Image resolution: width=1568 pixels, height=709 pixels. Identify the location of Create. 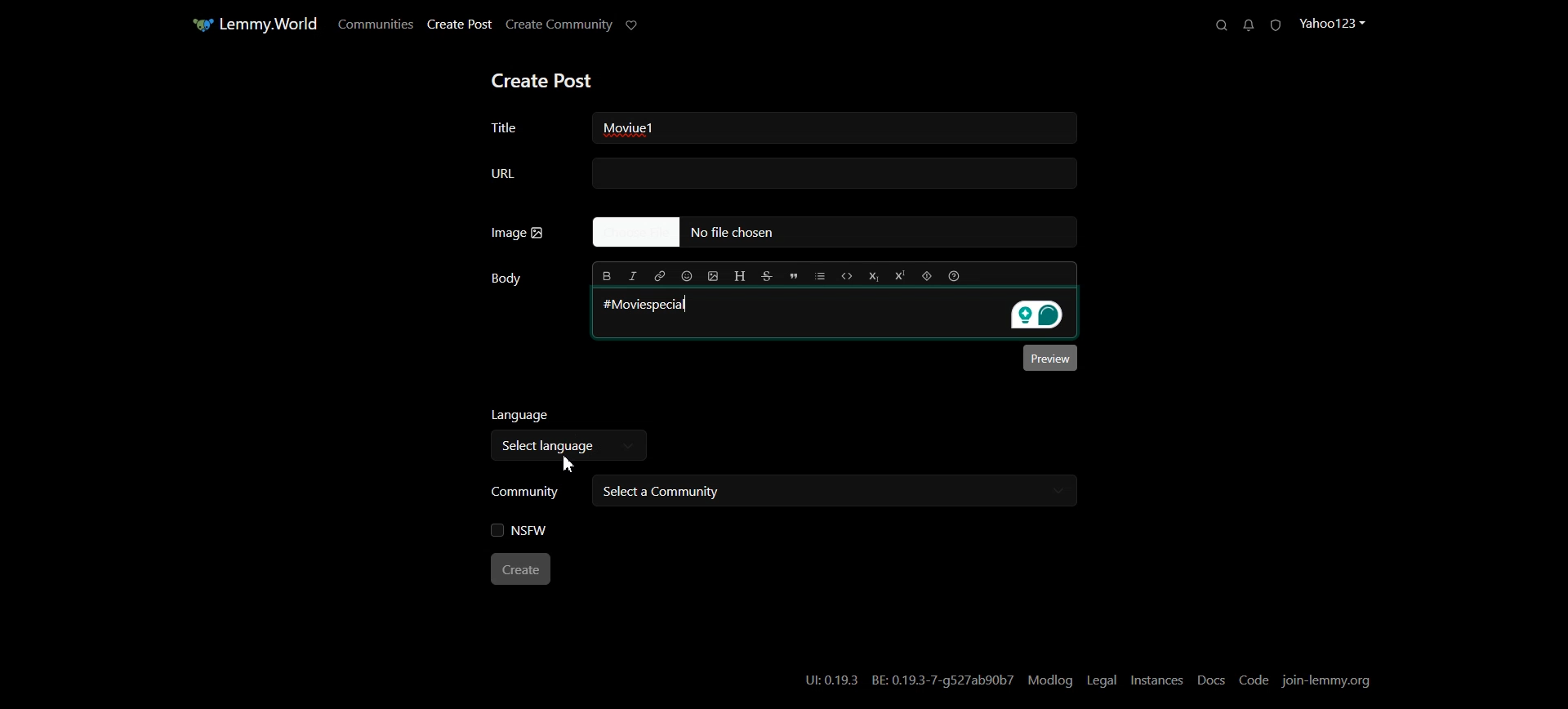
(523, 570).